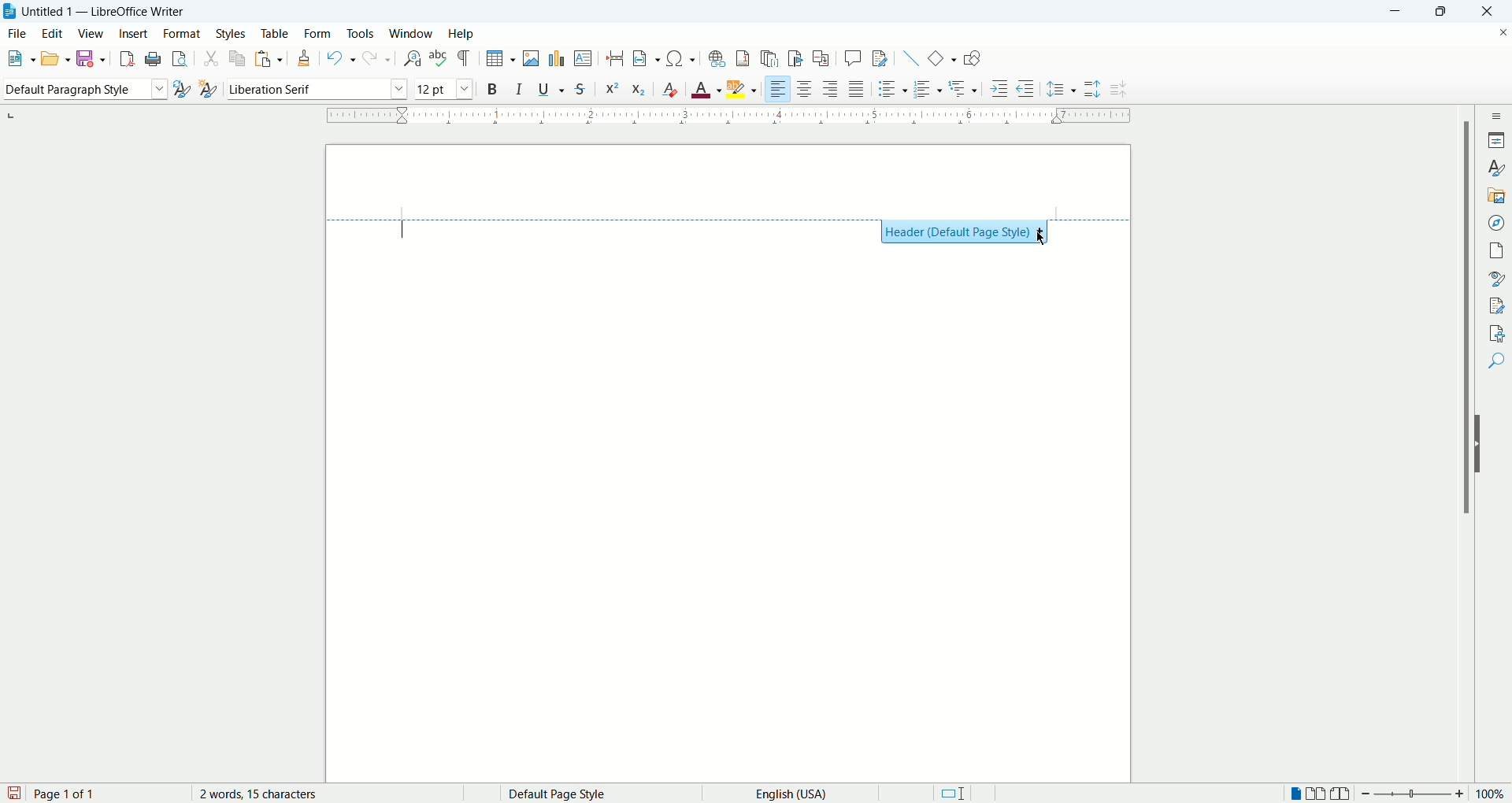 The height and width of the screenshot is (803, 1512). Describe the element at coordinates (412, 58) in the screenshot. I see `find and replace` at that location.